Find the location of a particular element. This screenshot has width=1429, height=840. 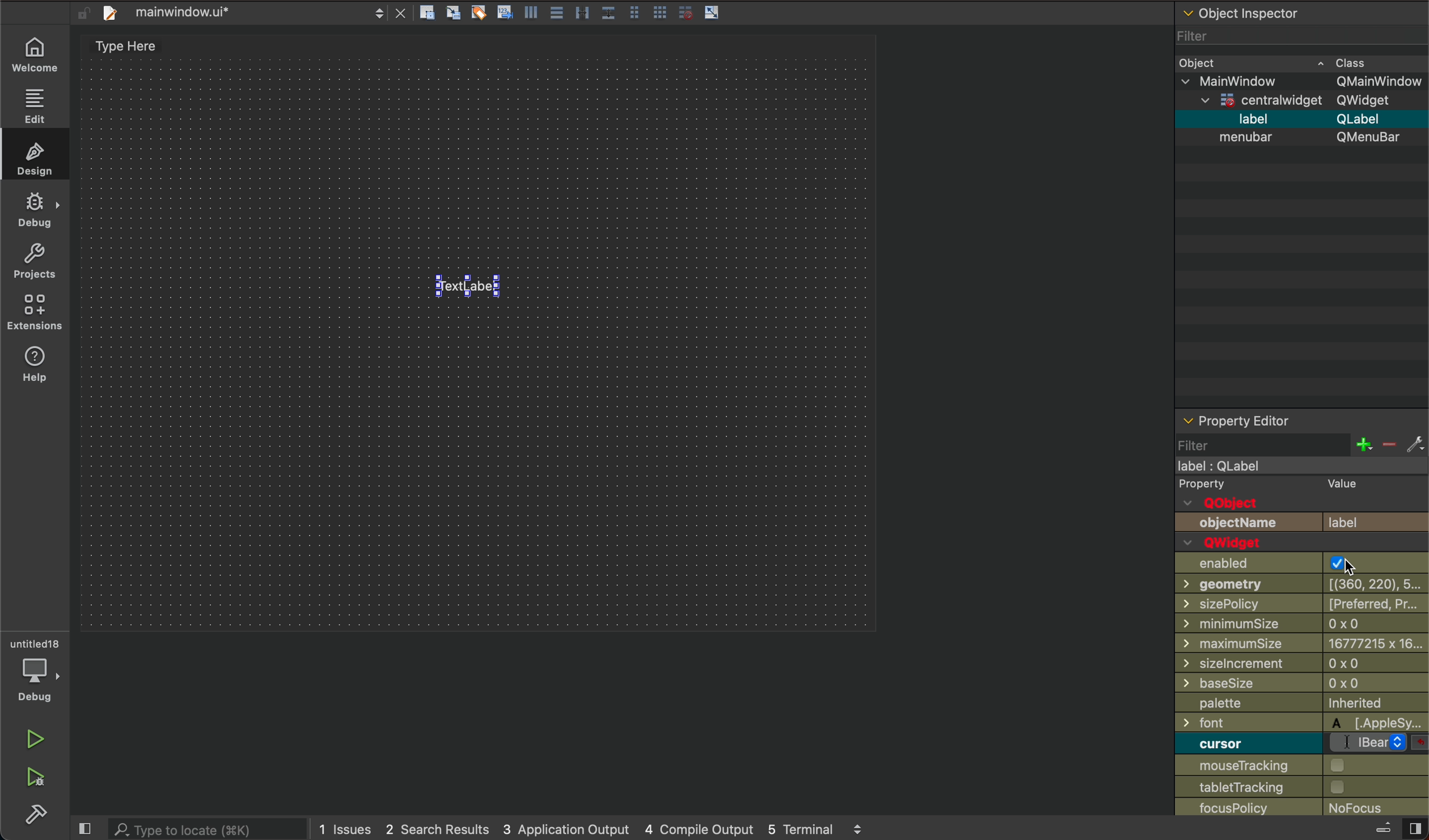

tabletTracking is located at coordinates (1238, 787).